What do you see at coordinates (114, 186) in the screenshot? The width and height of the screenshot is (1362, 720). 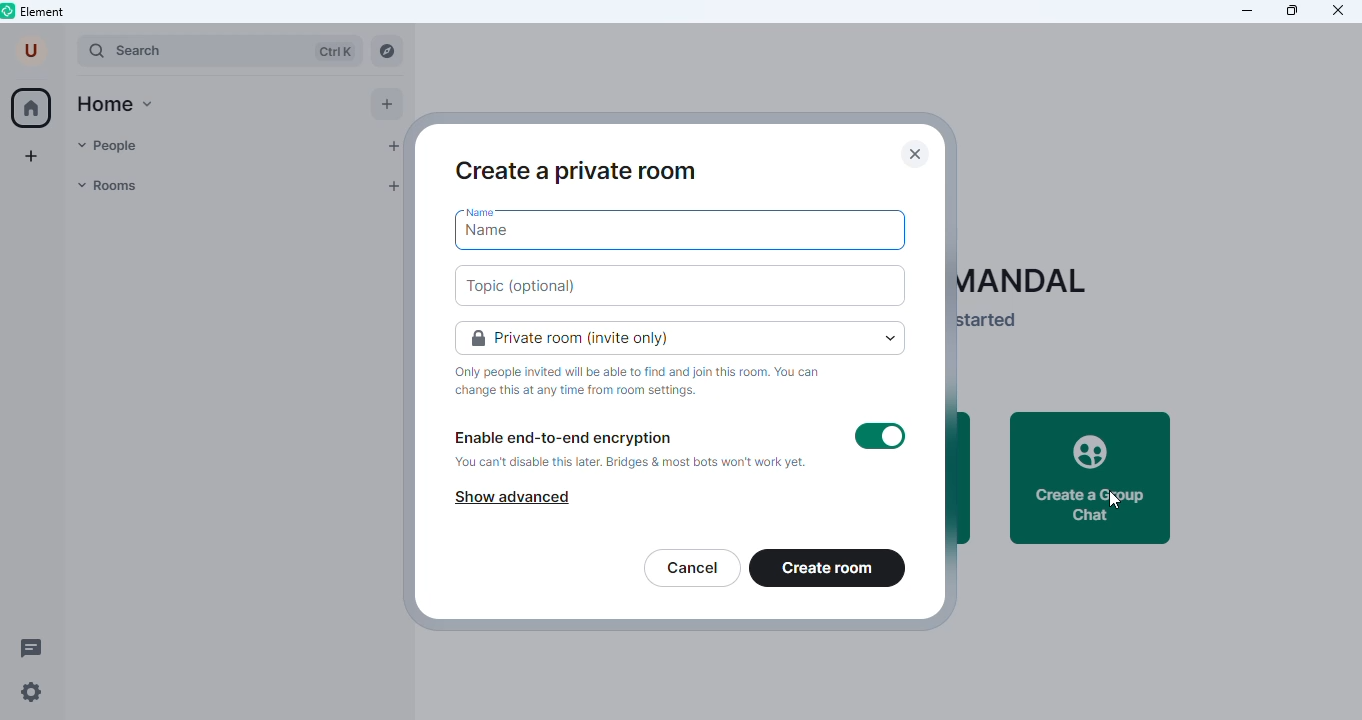 I see `room` at bounding box center [114, 186].